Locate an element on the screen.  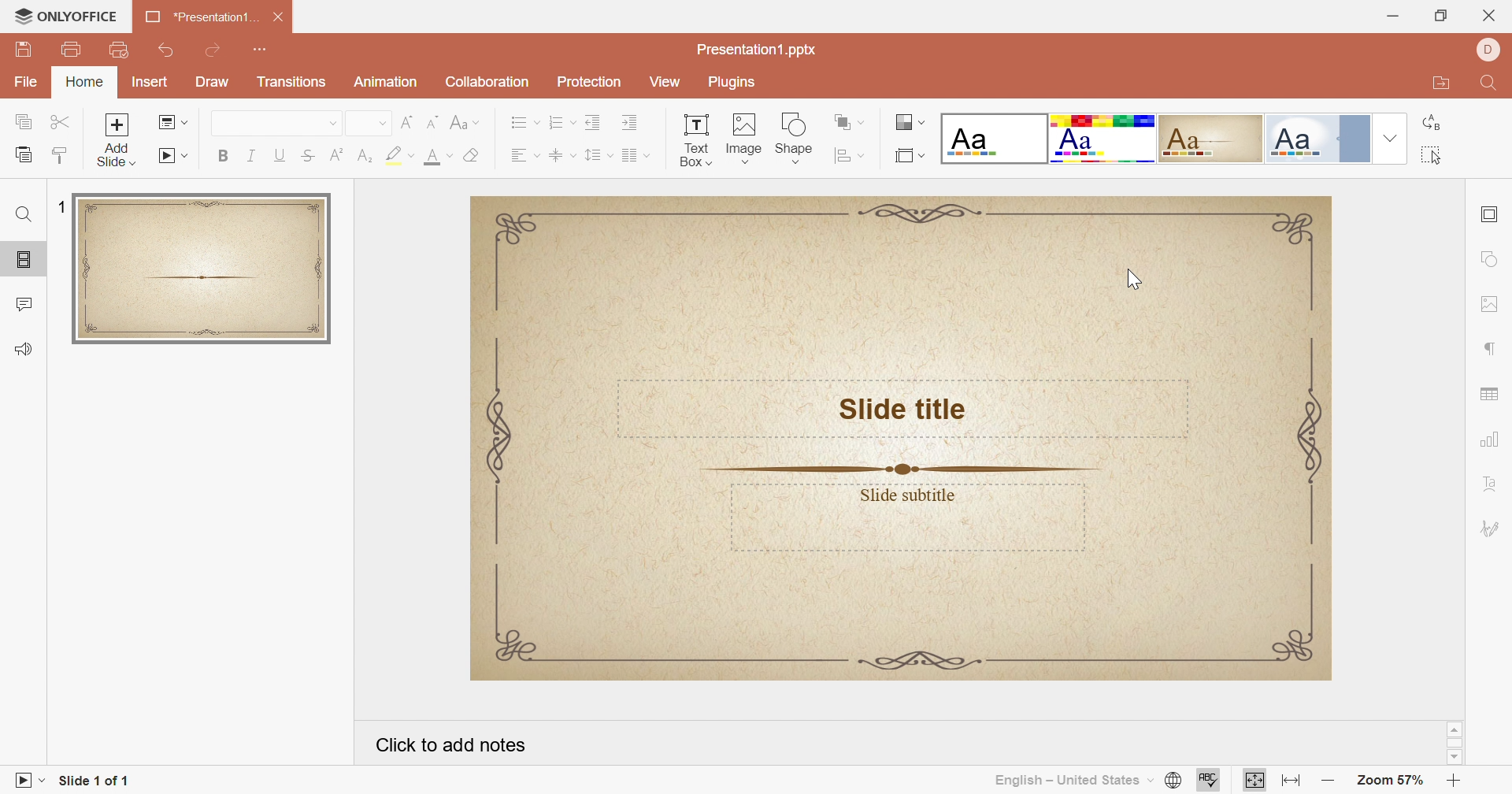
Fit to width is located at coordinates (1294, 781).